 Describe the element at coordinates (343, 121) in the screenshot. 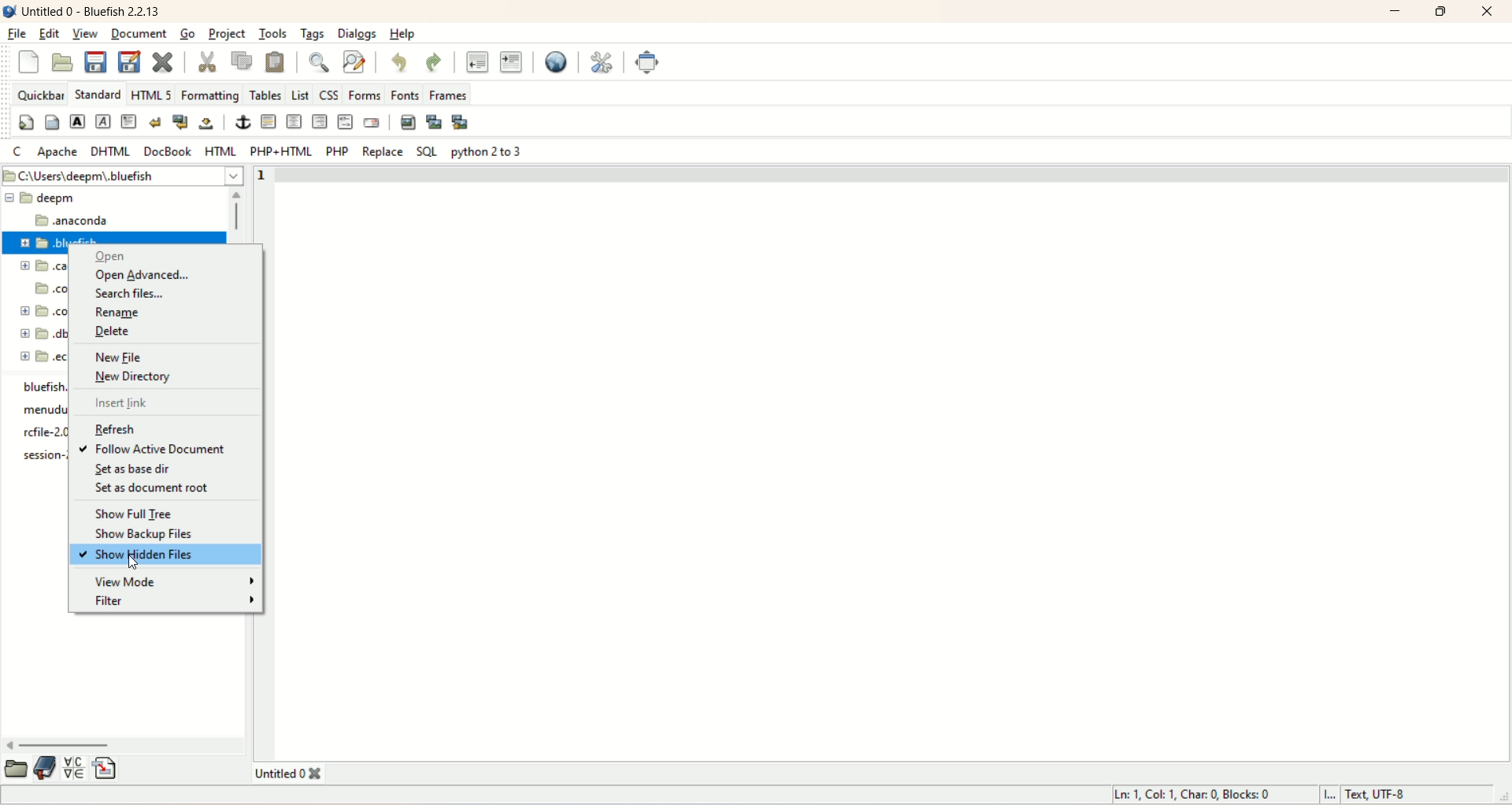

I see `HTML comment` at that location.